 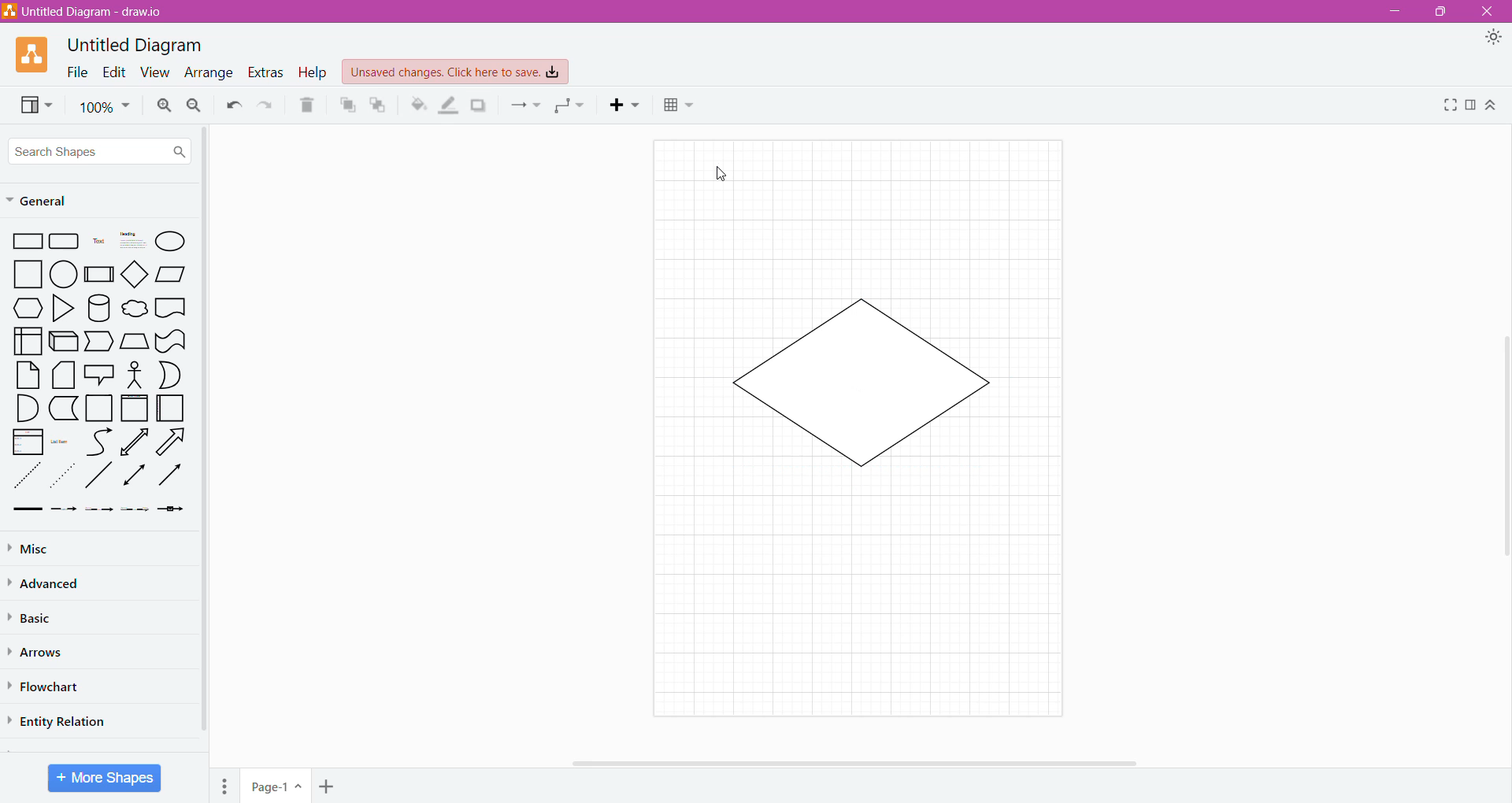 What do you see at coordinates (100, 512) in the screenshot?
I see `Connector with 2 Labels` at bounding box center [100, 512].